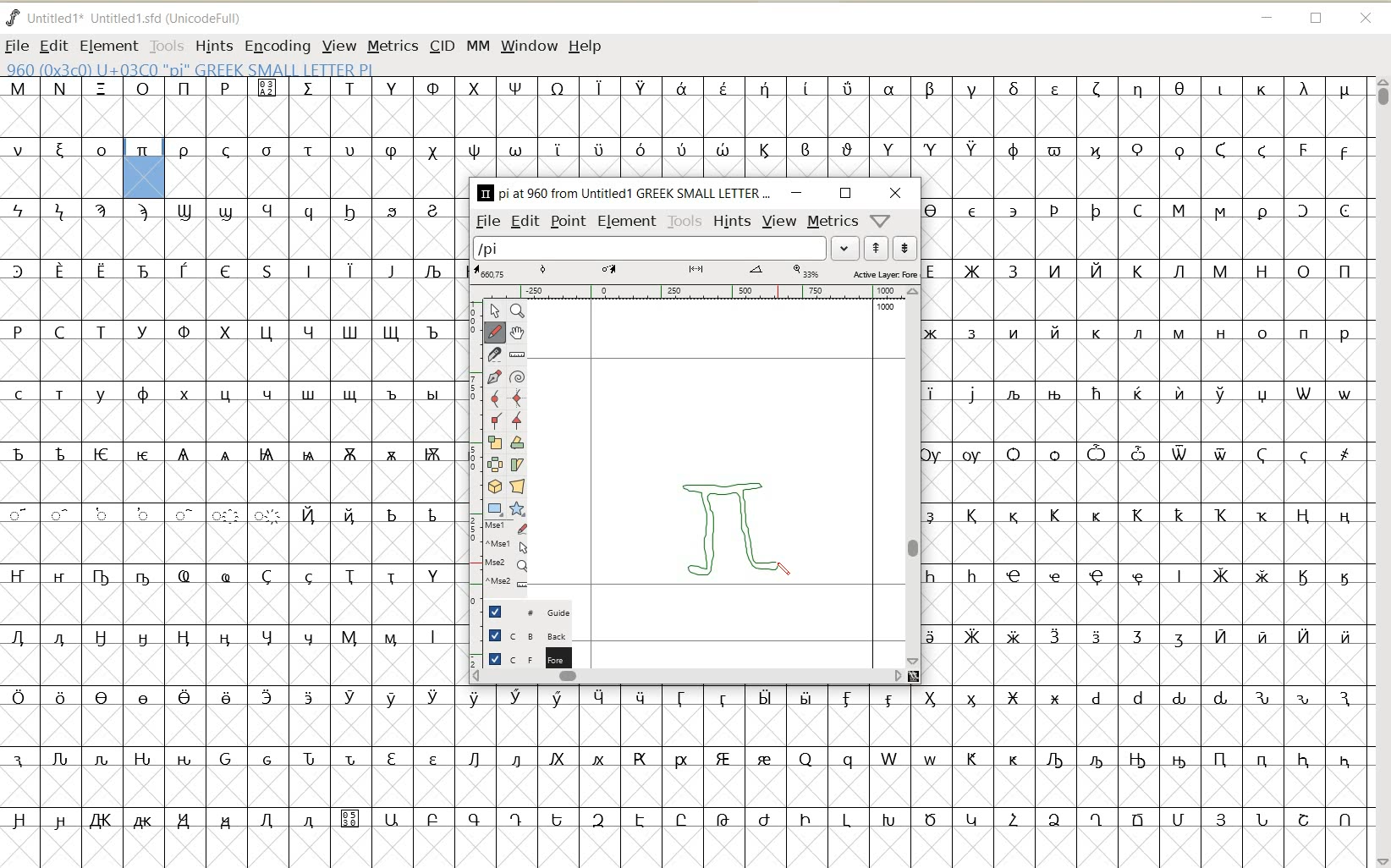 Image resolution: width=1391 pixels, height=868 pixels. I want to click on measure a distance, angle between points, so click(518, 354).